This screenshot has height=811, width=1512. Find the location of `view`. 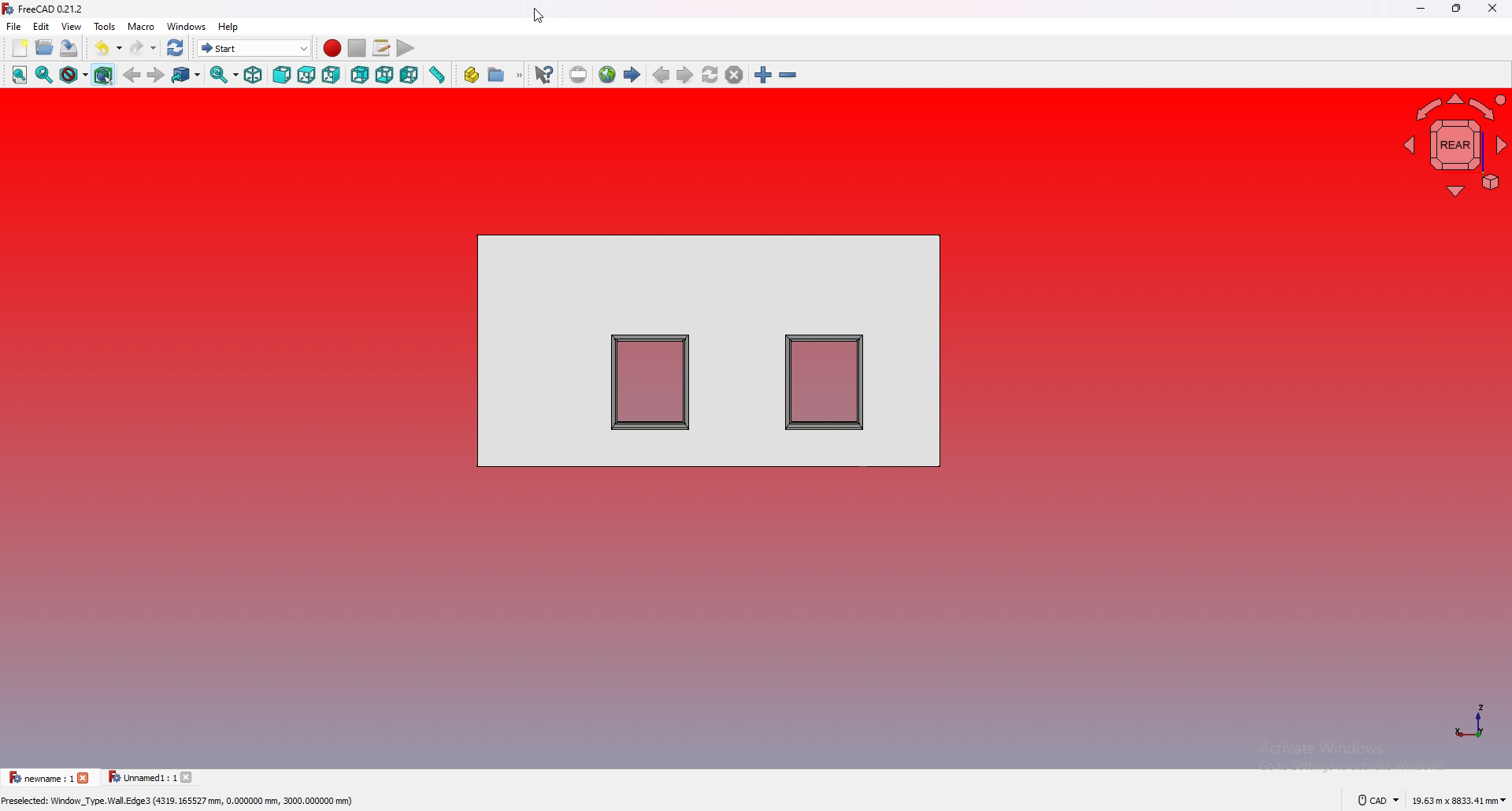

view is located at coordinates (72, 25).